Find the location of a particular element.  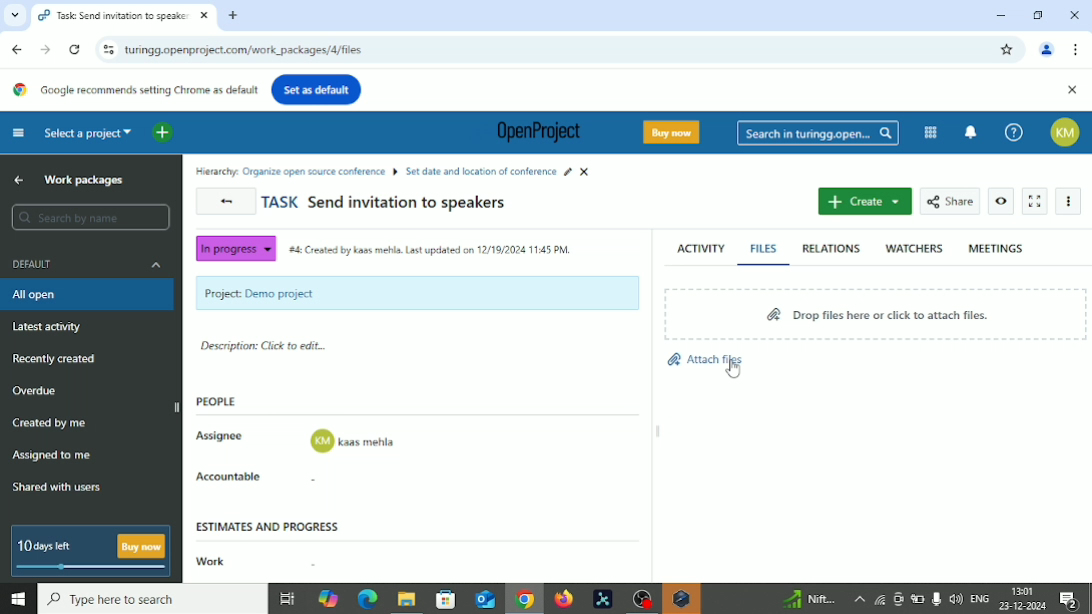

Work packages is located at coordinates (90, 180).